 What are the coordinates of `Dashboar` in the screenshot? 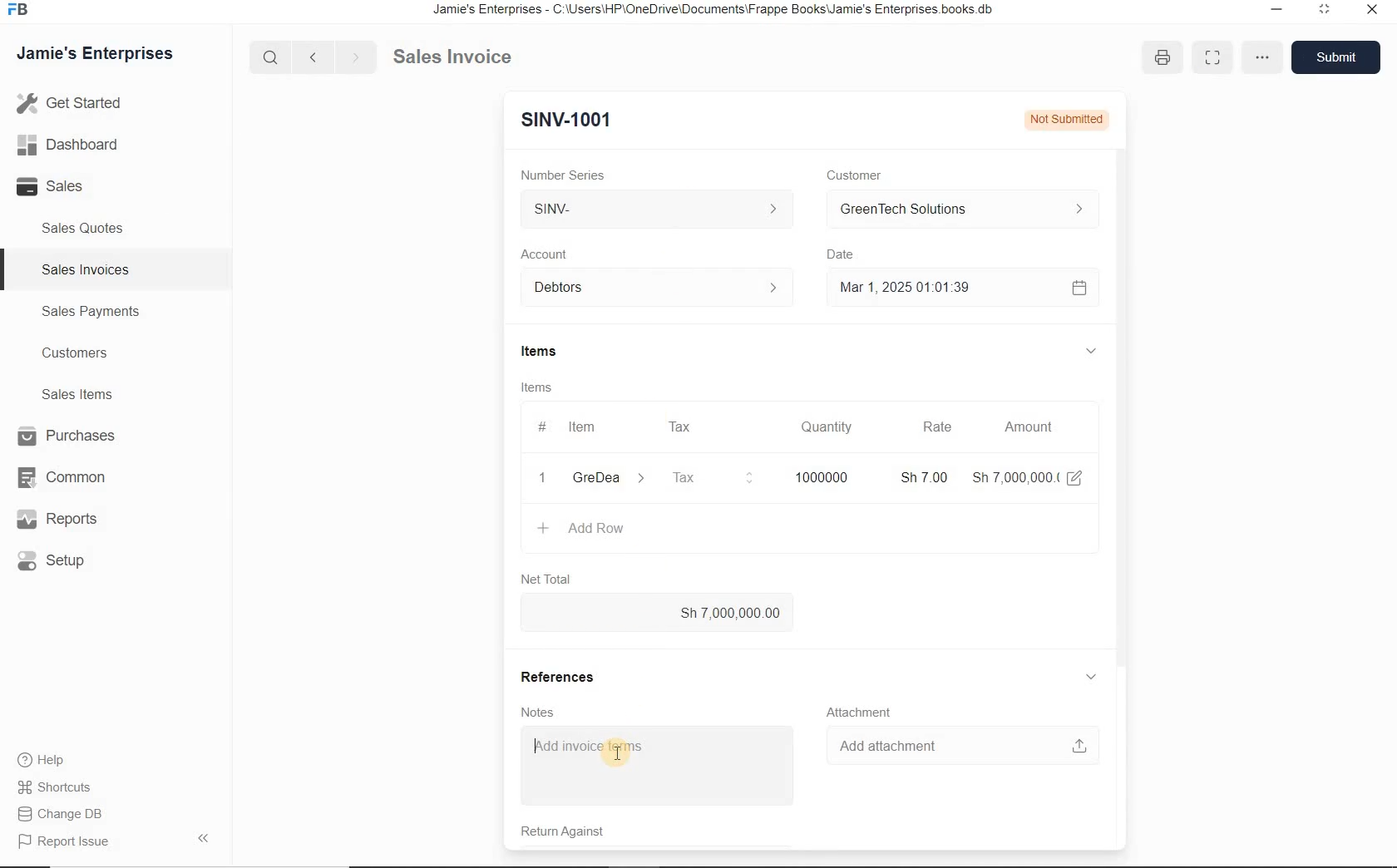 It's located at (68, 144).